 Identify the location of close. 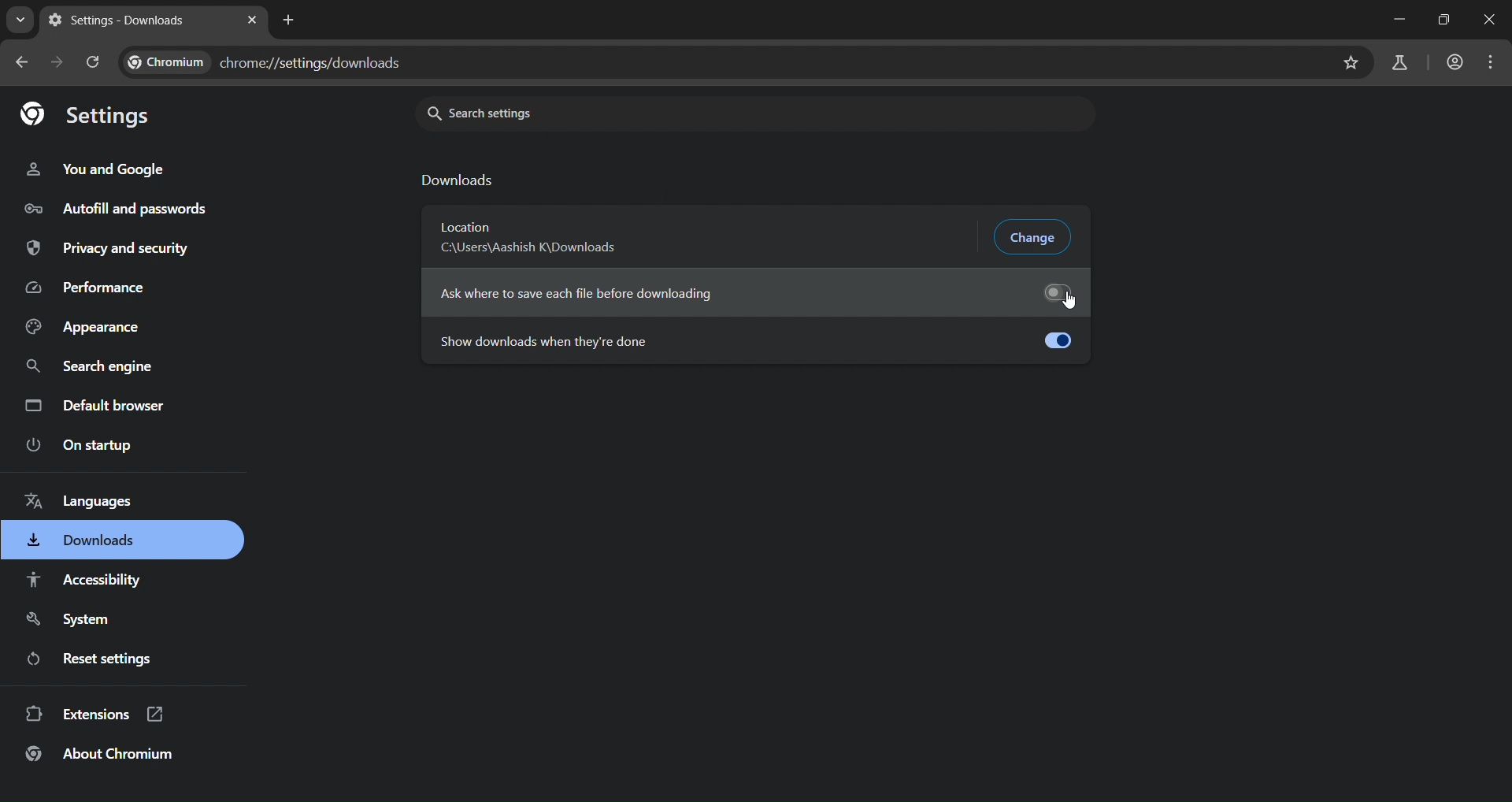
(1492, 18).